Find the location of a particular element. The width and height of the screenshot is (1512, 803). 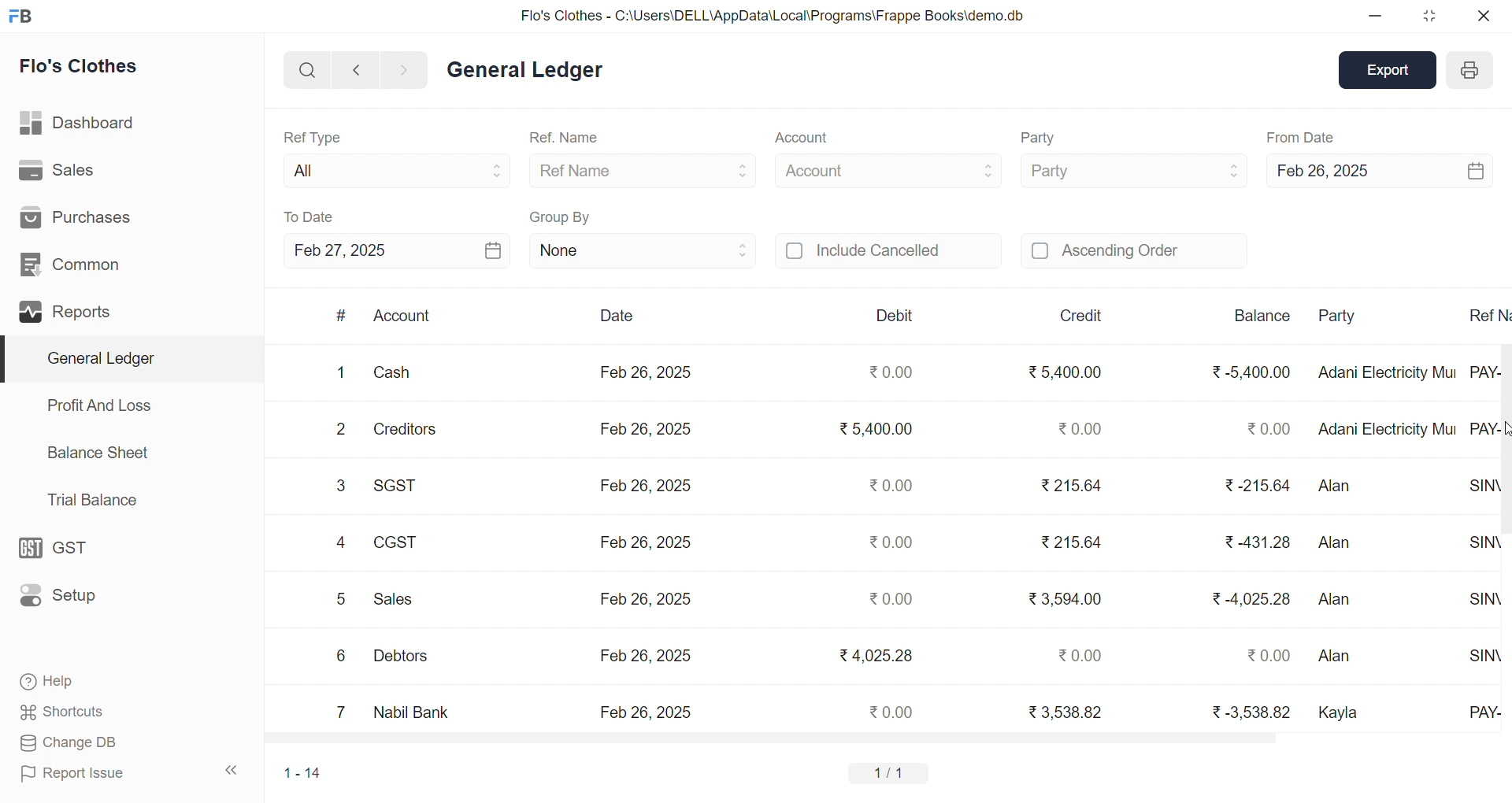

SINV- is located at coordinates (1474, 486).